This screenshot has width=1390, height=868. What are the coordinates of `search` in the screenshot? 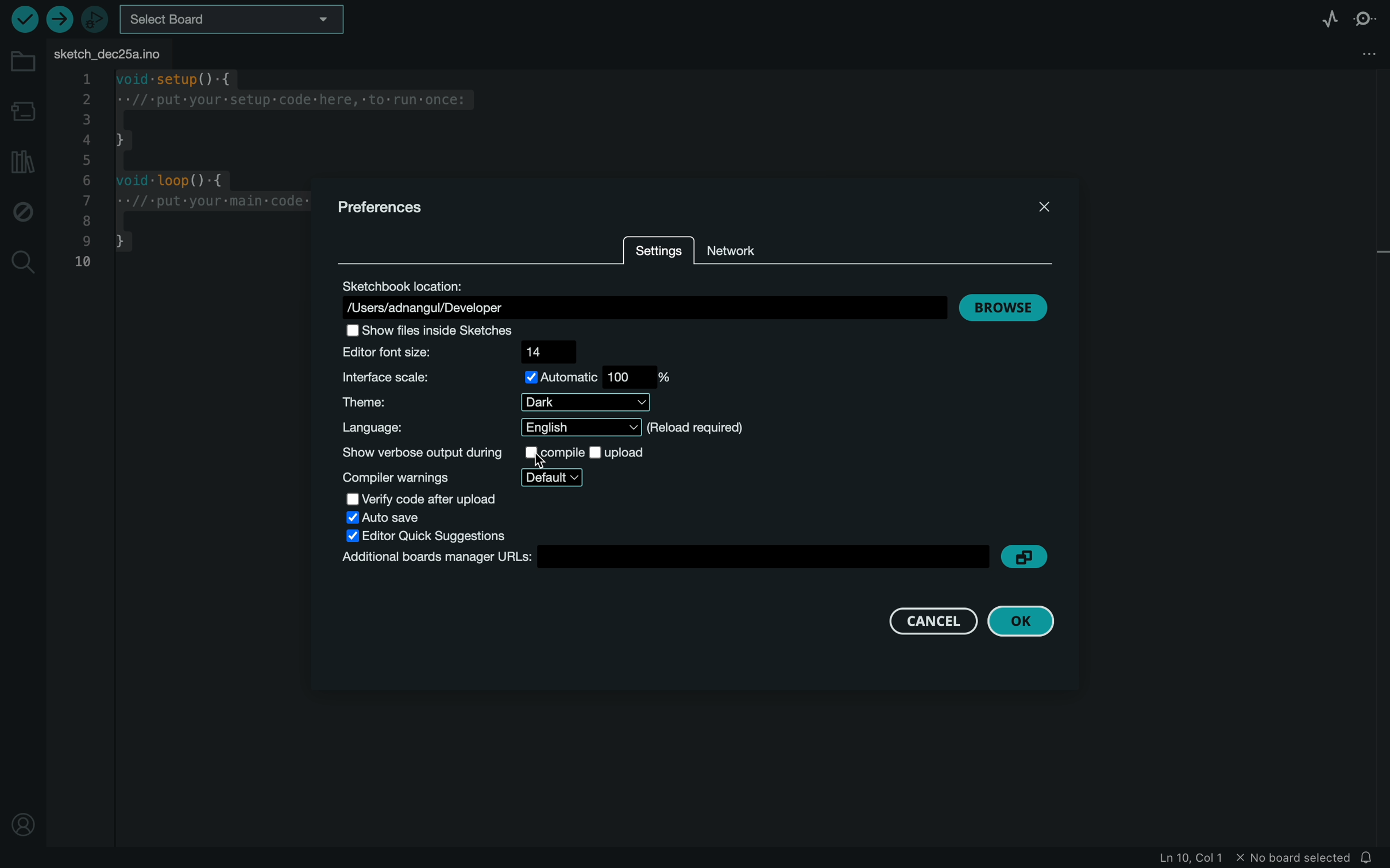 It's located at (22, 261).